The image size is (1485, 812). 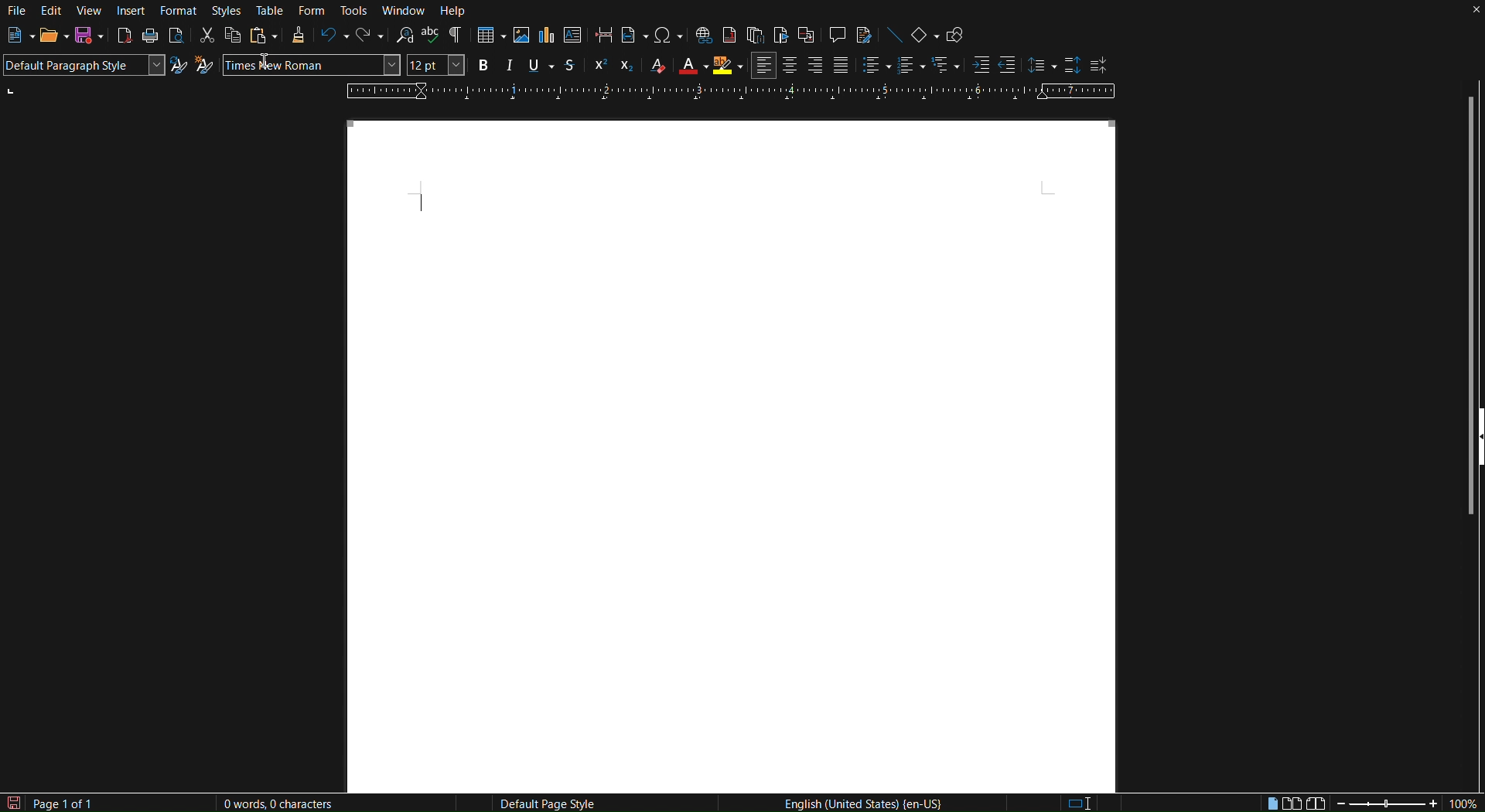 I want to click on Right Align, so click(x=814, y=67).